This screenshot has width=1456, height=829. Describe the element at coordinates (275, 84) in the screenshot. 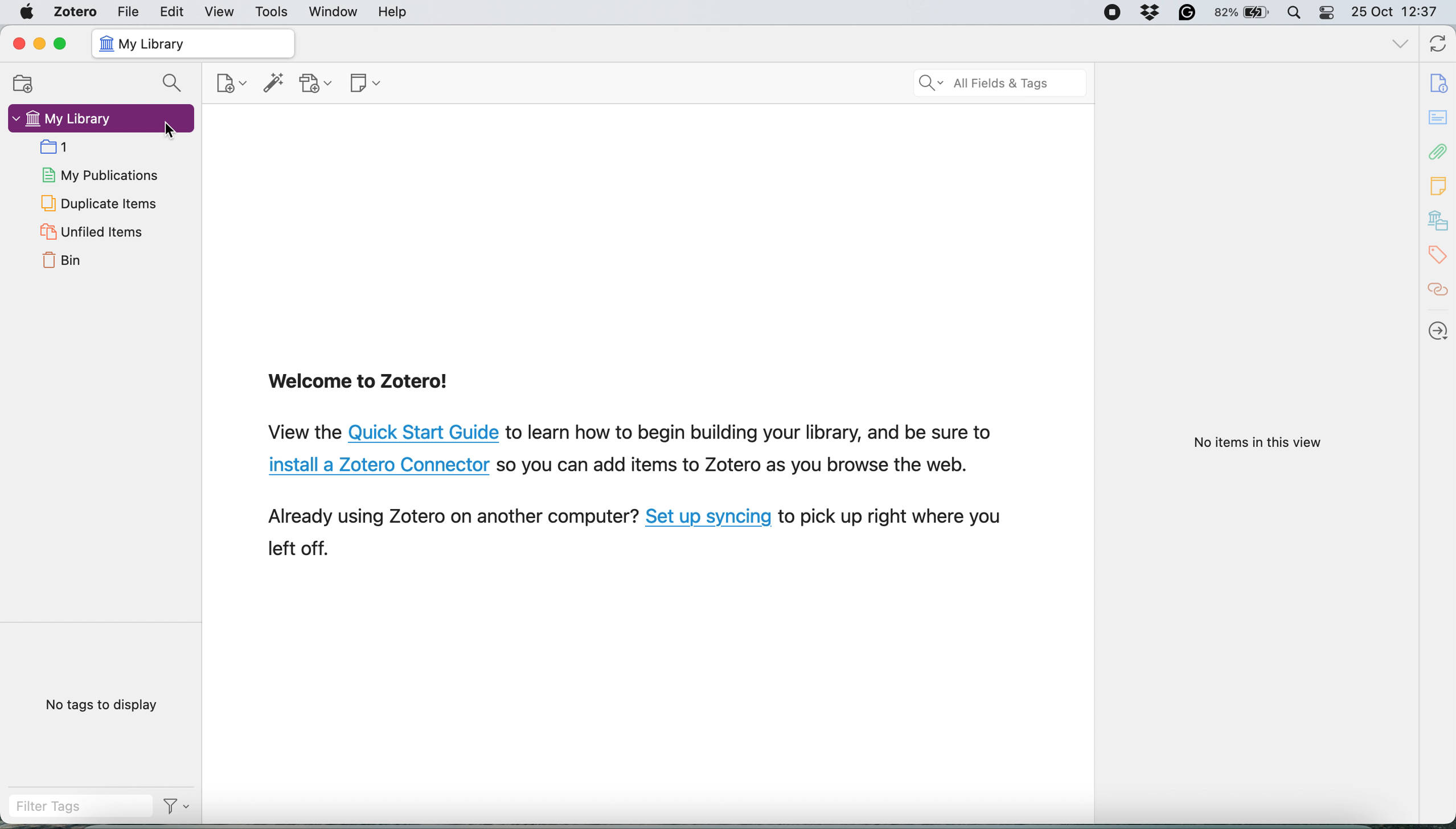

I see `add item by identifier` at that location.